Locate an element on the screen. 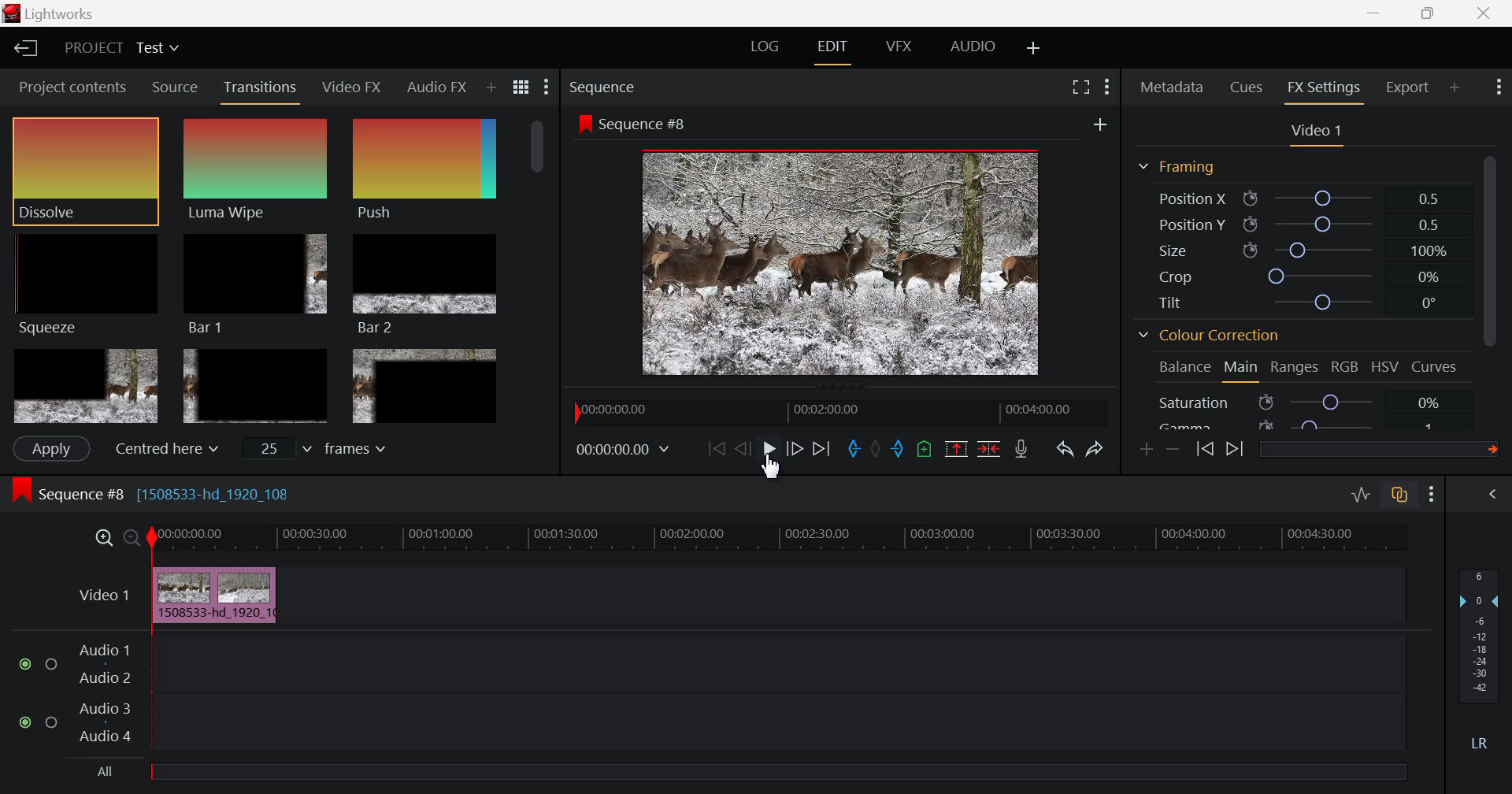 This screenshot has height=794, width=1512. Lightworks is located at coordinates (56, 14).